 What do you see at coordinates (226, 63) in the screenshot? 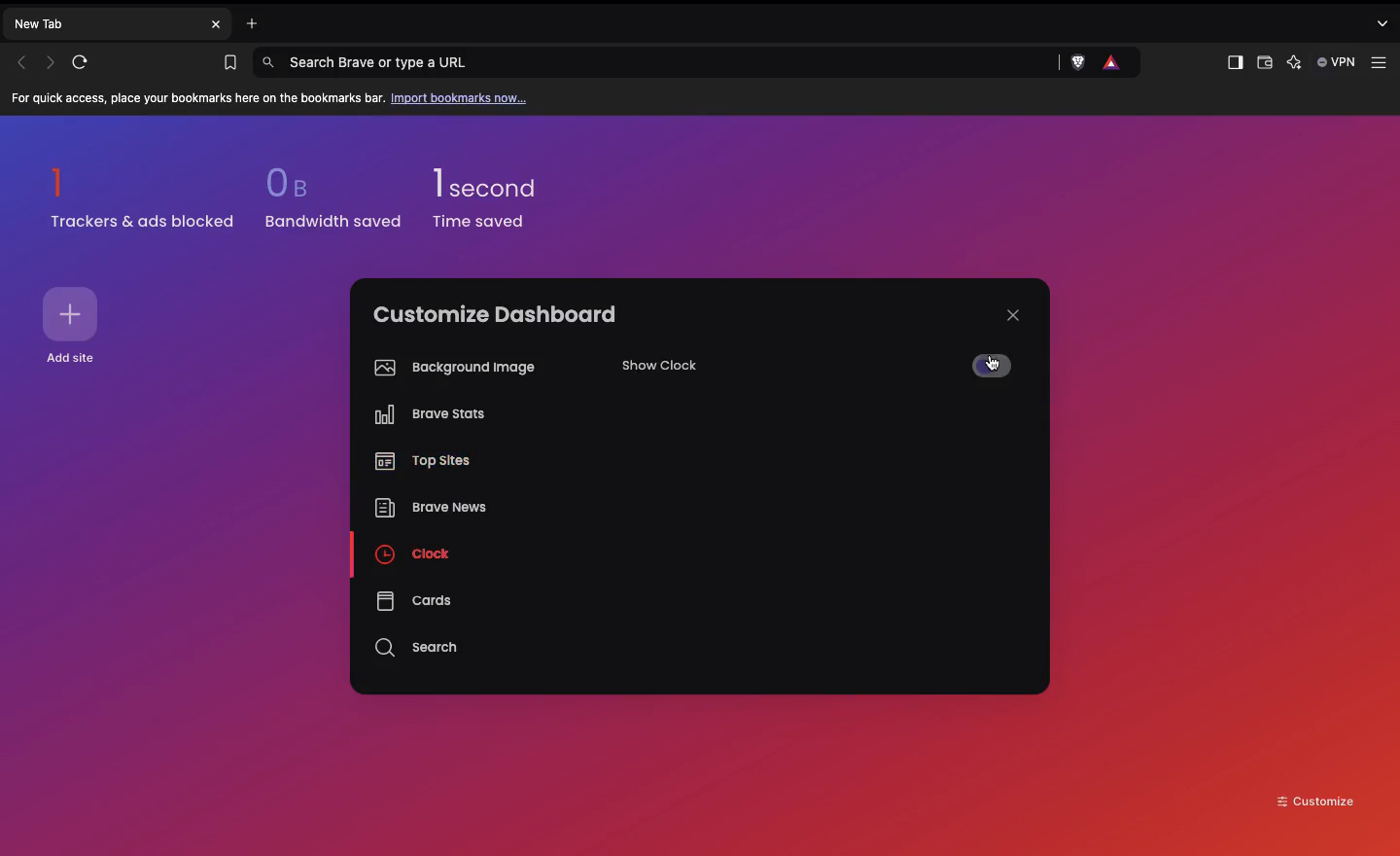
I see `Bookmarks` at bounding box center [226, 63].